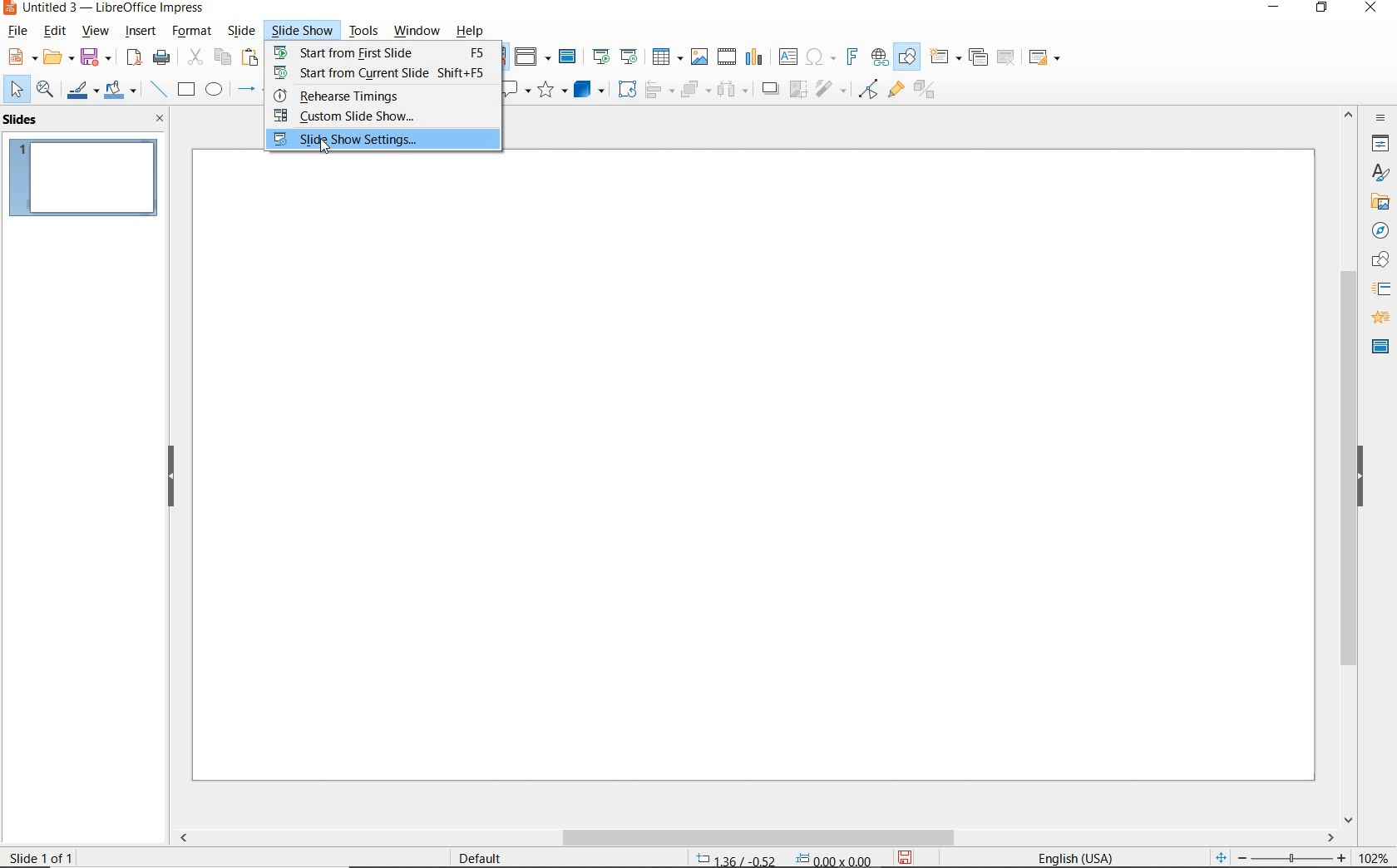 The width and height of the screenshot is (1397, 868). What do you see at coordinates (569, 57) in the screenshot?
I see `MASTER SLIDE` at bounding box center [569, 57].